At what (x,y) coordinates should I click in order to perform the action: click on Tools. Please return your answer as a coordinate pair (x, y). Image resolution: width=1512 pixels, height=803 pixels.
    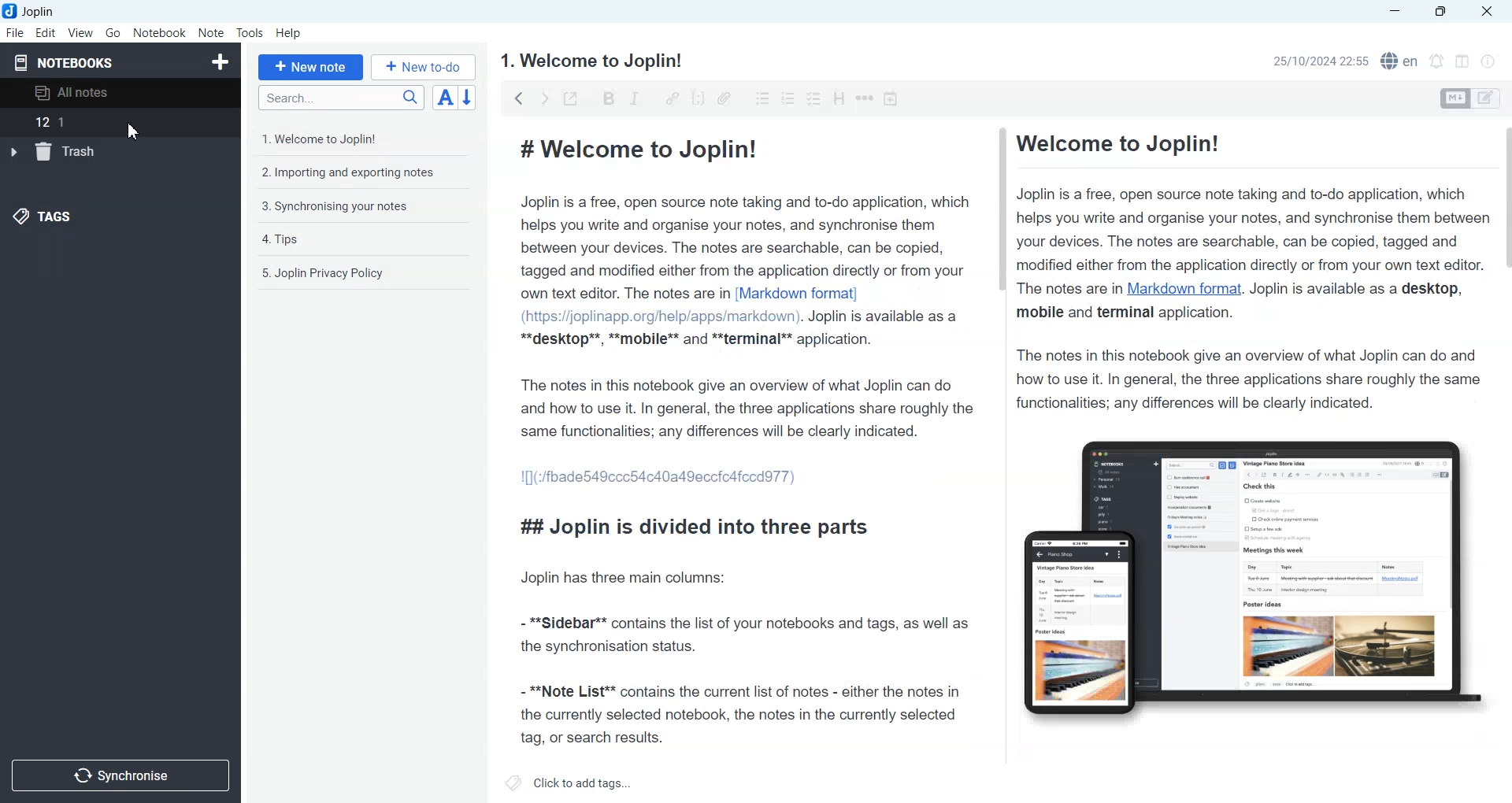
    Looking at the image, I should click on (250, 33).